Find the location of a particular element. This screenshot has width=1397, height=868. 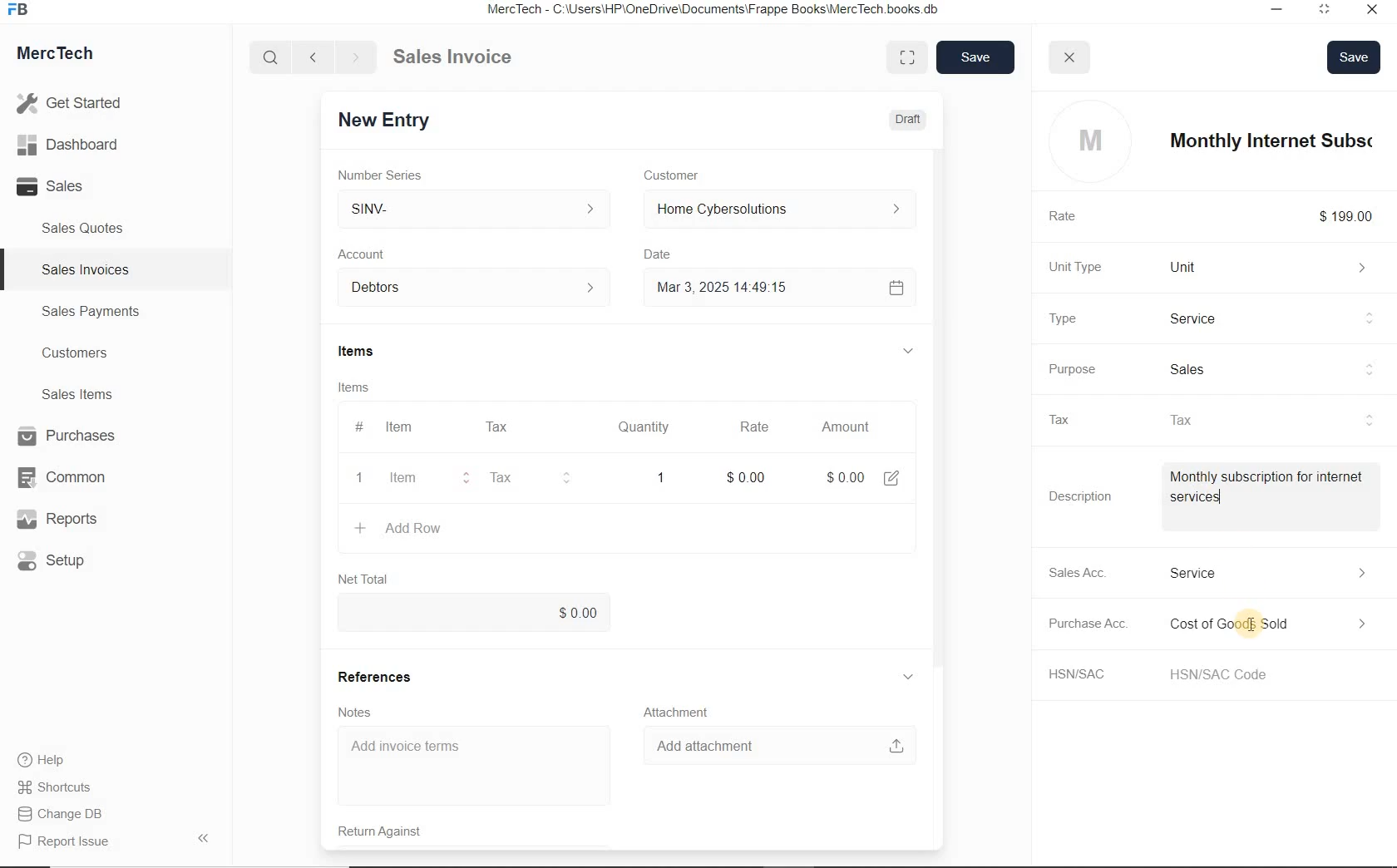

Sales Payments is located at coordinates (88, 312).